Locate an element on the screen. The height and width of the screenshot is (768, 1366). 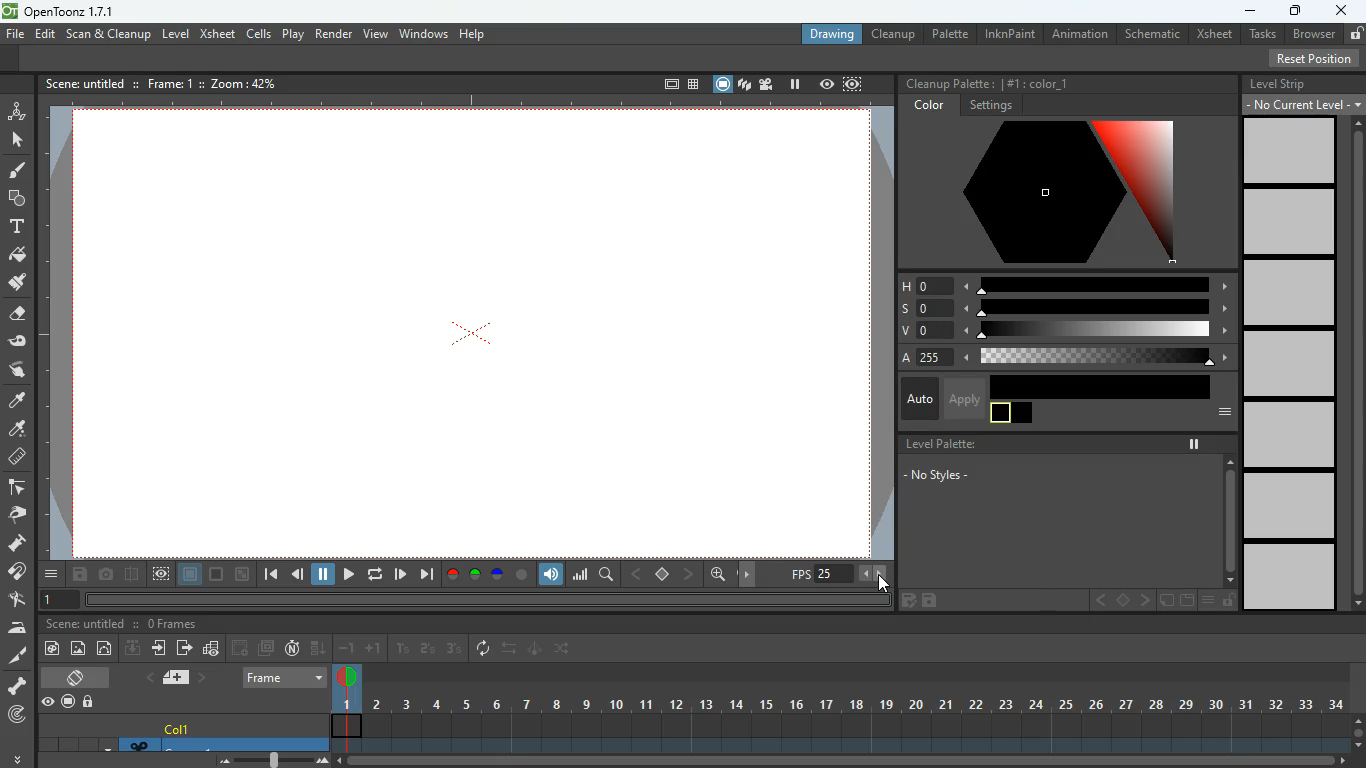
animation is located at coordinates (1083, 34).